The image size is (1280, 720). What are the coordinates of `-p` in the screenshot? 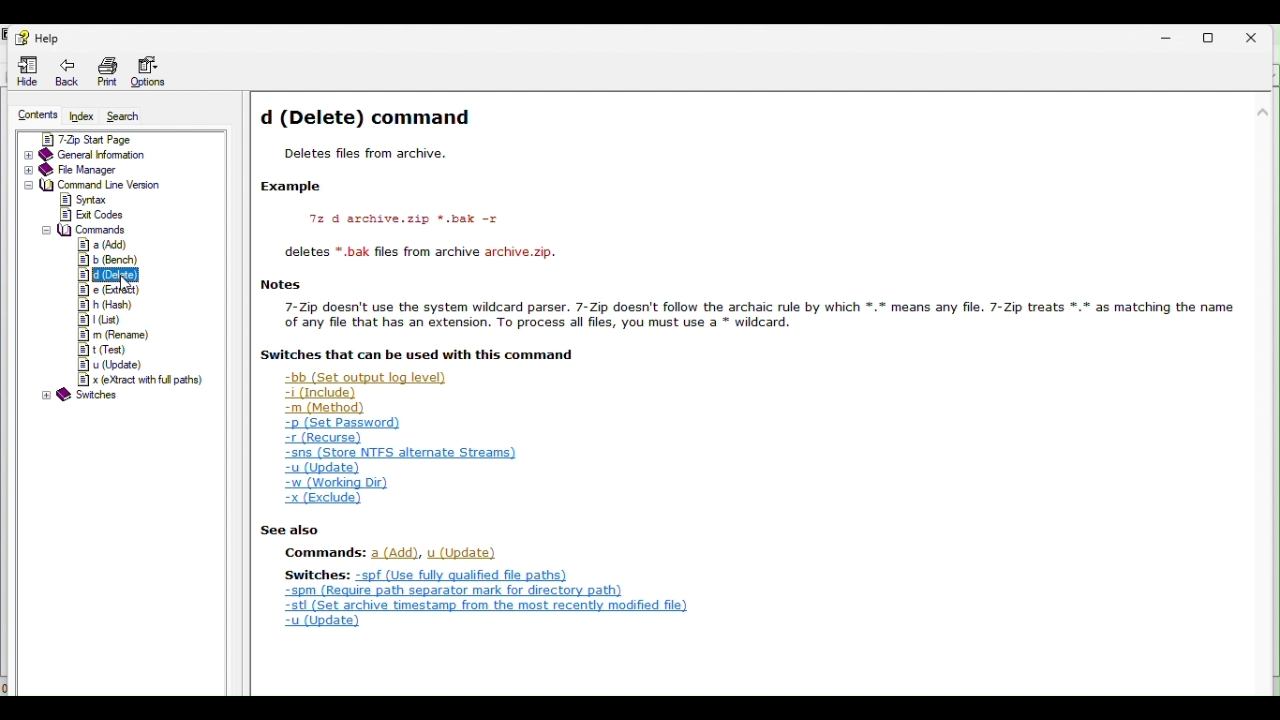 It's located at (345, 422).